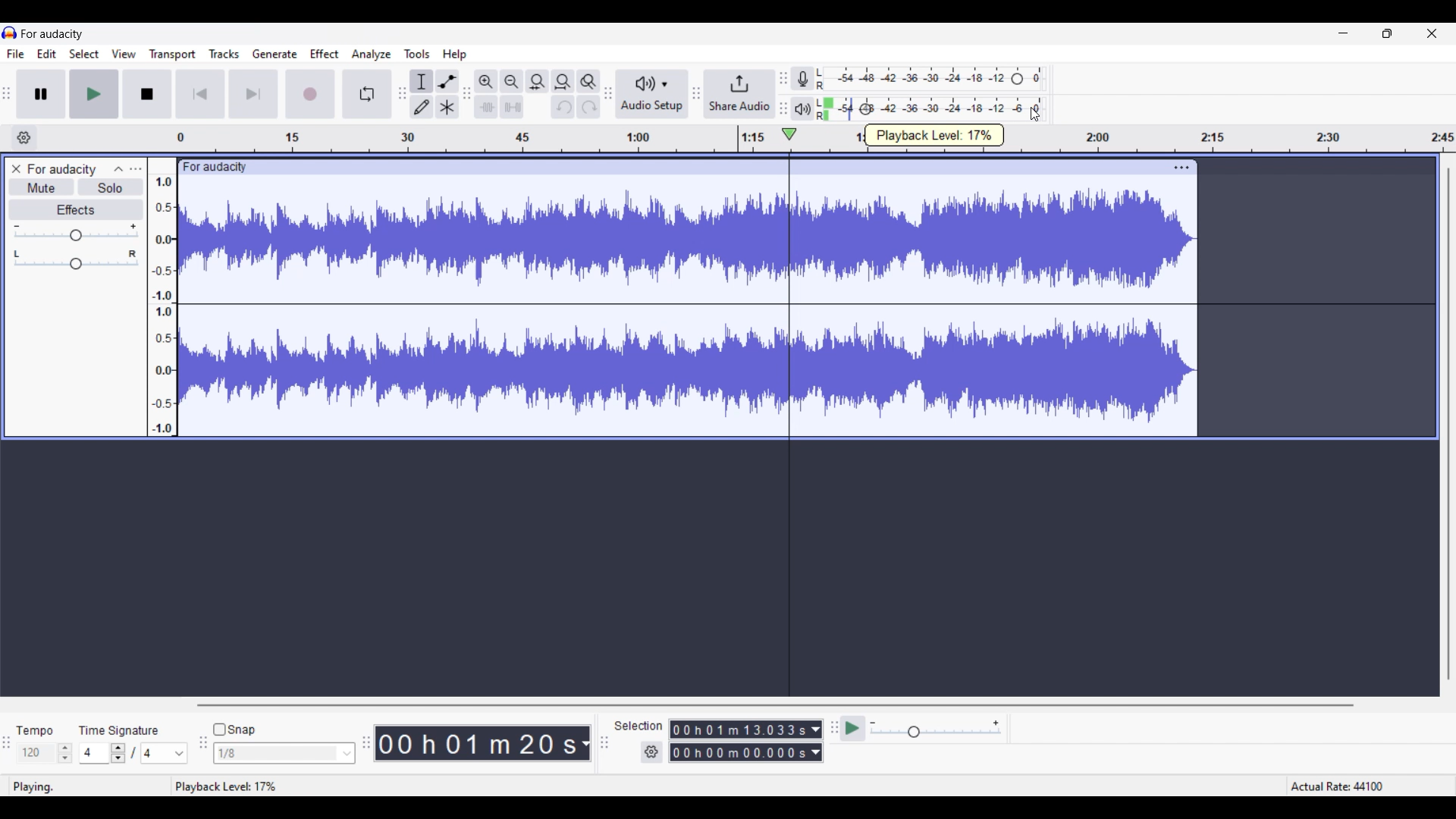 The image size is (1456, 819). What do you see at coordinates (585, 743) in the screenshot?
I see `Duration measurement options` at bounding box center [585, 743].